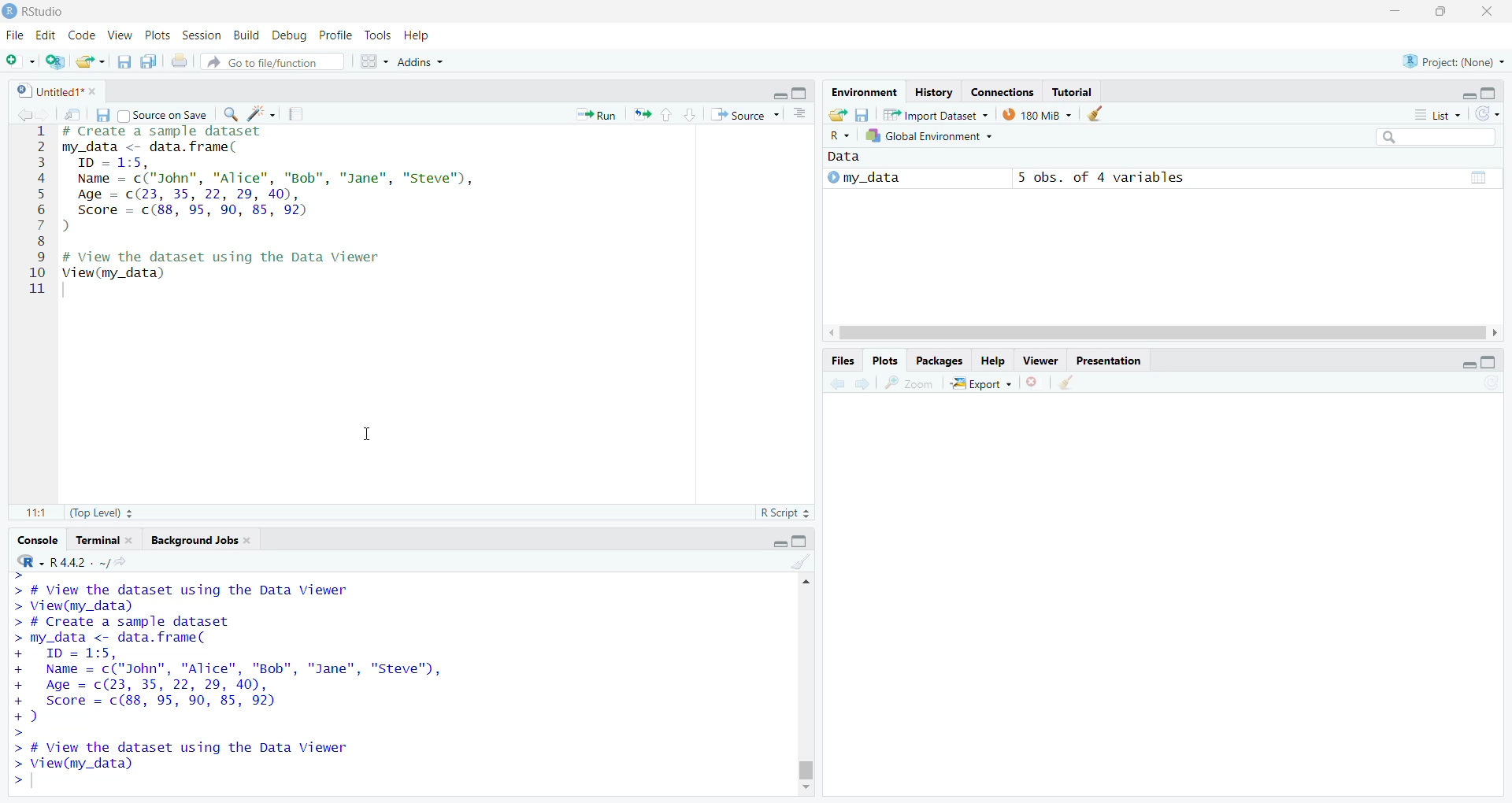 This screenshot has width=1512, height=803. Describe the element at coordinates (746, 116) in the screenshot. I see `Source` at that location.